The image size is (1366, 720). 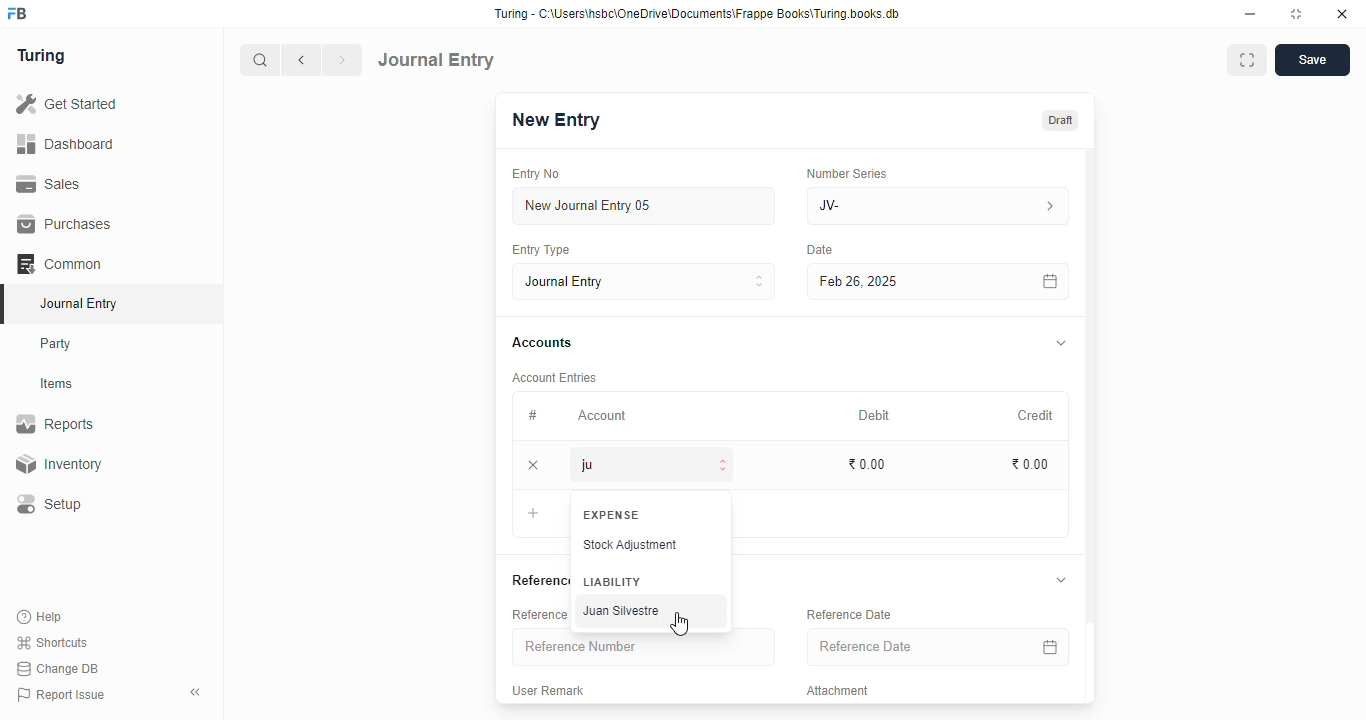 What do you see at coordinates (1246, 60) in the screenshot?
I see `toggle between form and full width` at bounding box center [1246, 60].